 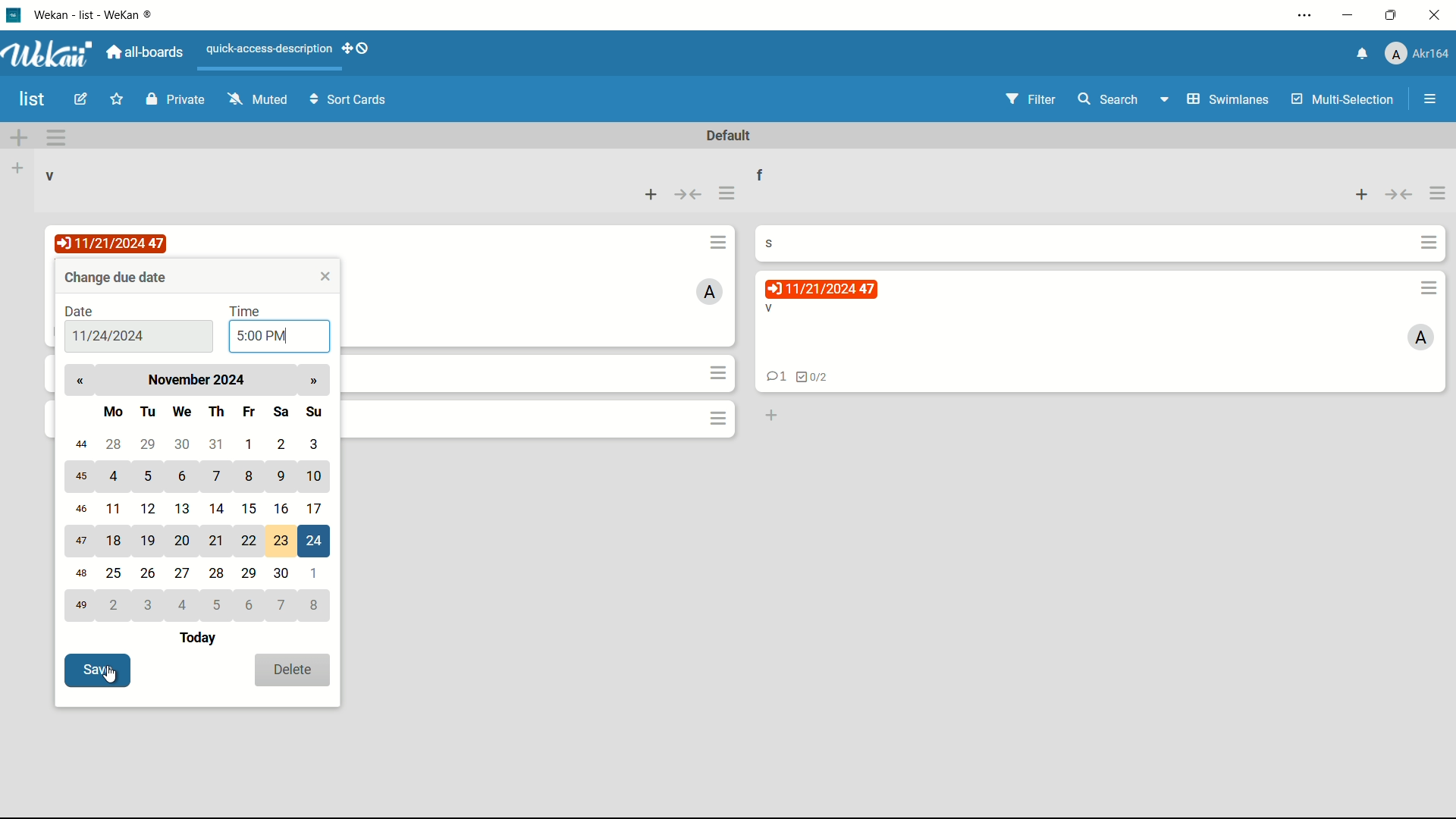 I want to click on maximize, so click(x=1391, y=17).